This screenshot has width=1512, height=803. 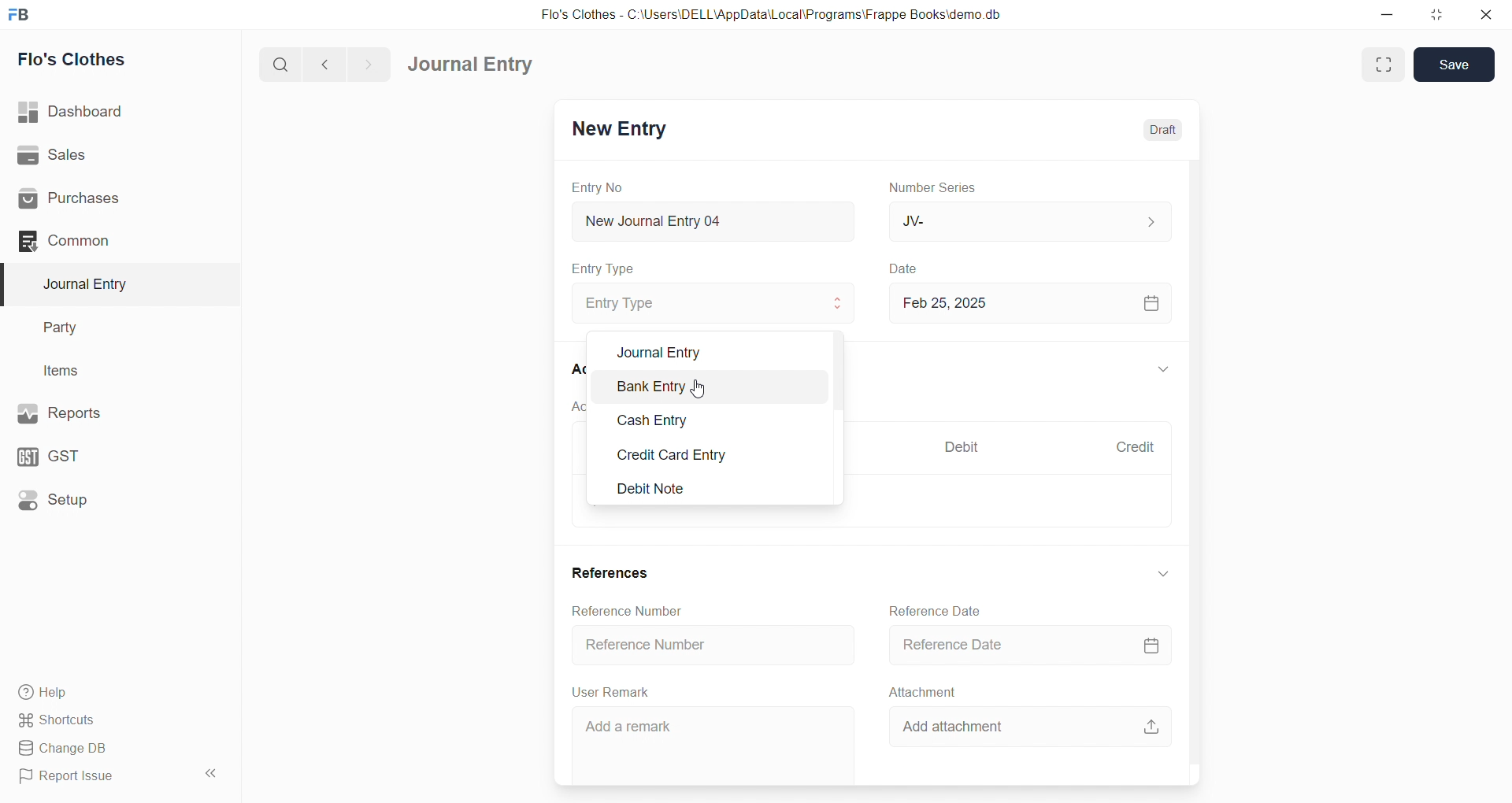 I want to click on Common, so click(x=106, y=240).